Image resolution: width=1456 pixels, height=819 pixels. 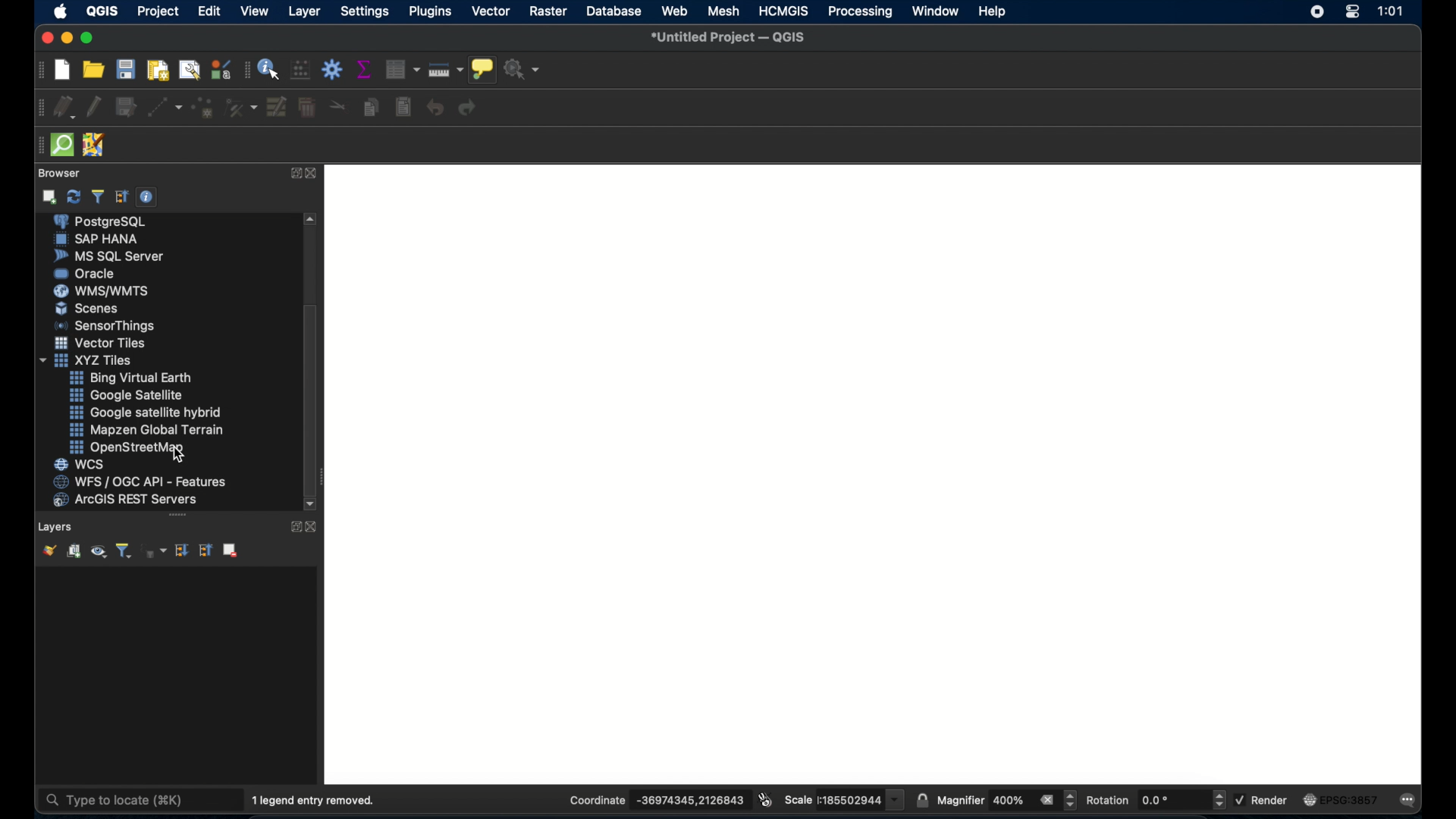 What do you see at coordinates (102, 291) in the screenshot?
I see `wms/wmts` at bounding box center [102, 291].